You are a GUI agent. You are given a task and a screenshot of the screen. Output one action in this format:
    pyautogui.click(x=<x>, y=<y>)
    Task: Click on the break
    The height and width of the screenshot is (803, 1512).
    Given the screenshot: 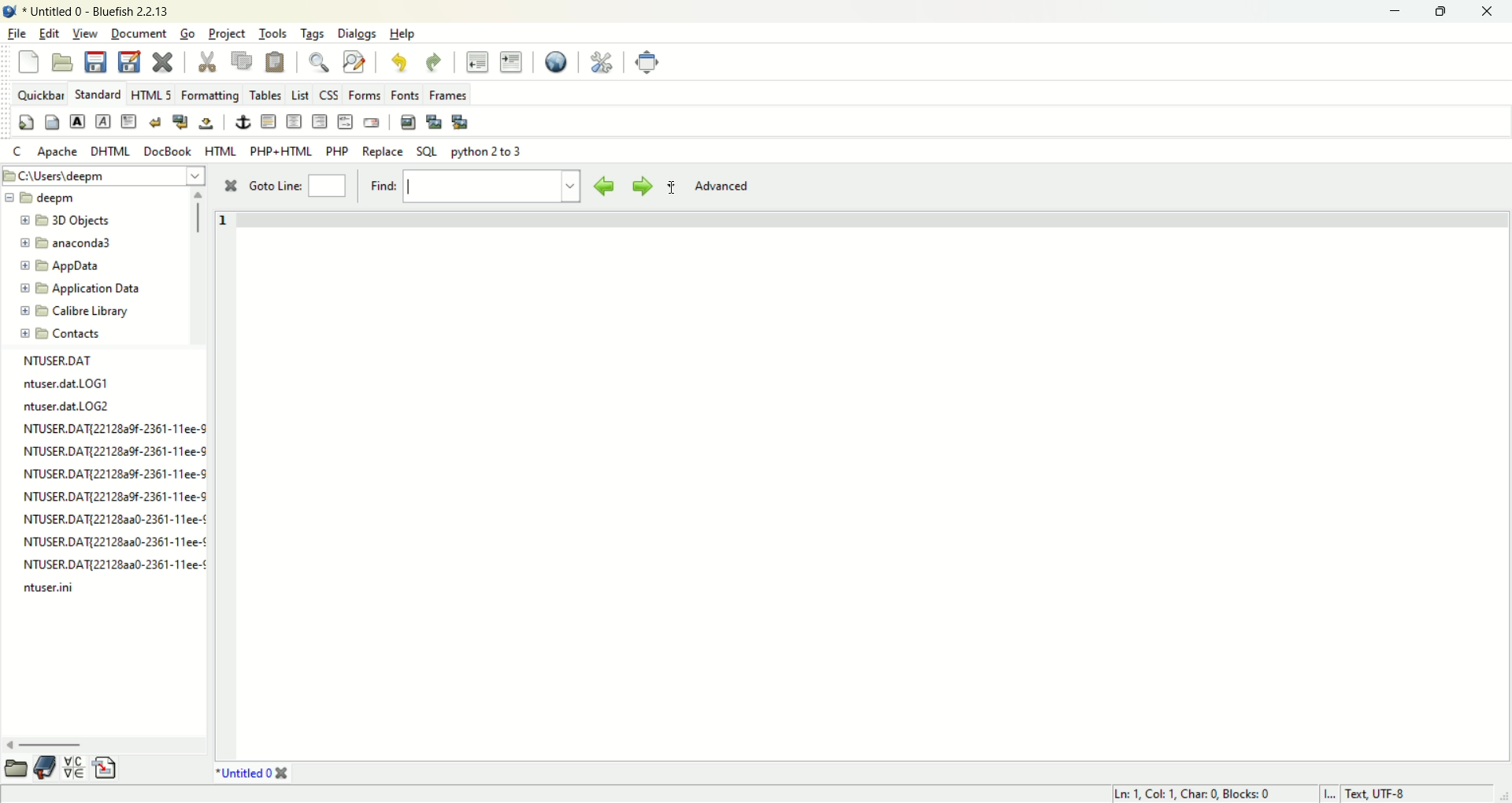 What is the action you would take?
    pyautogui.click(x=157, y=123)
    